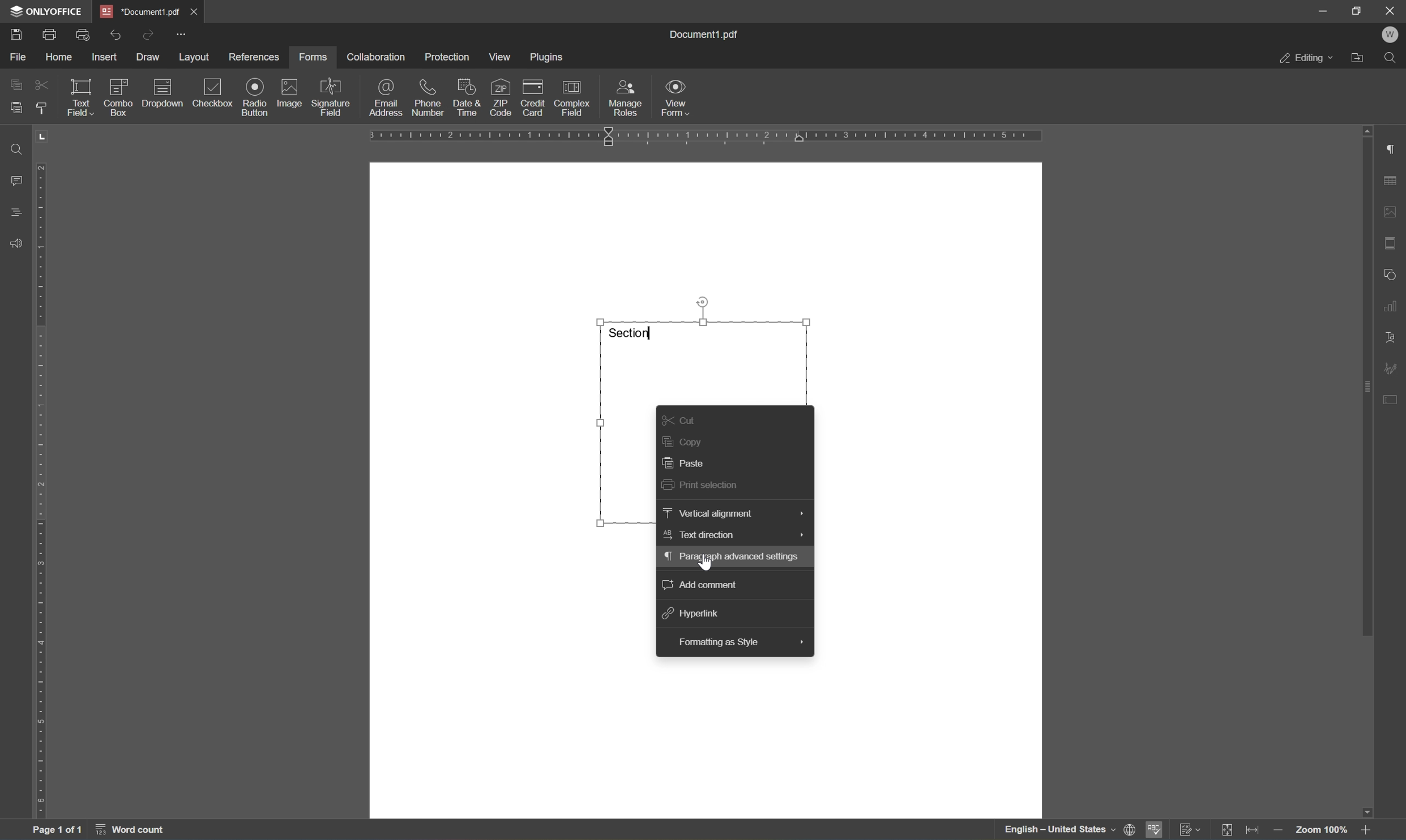  Describe the element at coordinates (705, 485) in the screenshot. I see `print selection` at that location.